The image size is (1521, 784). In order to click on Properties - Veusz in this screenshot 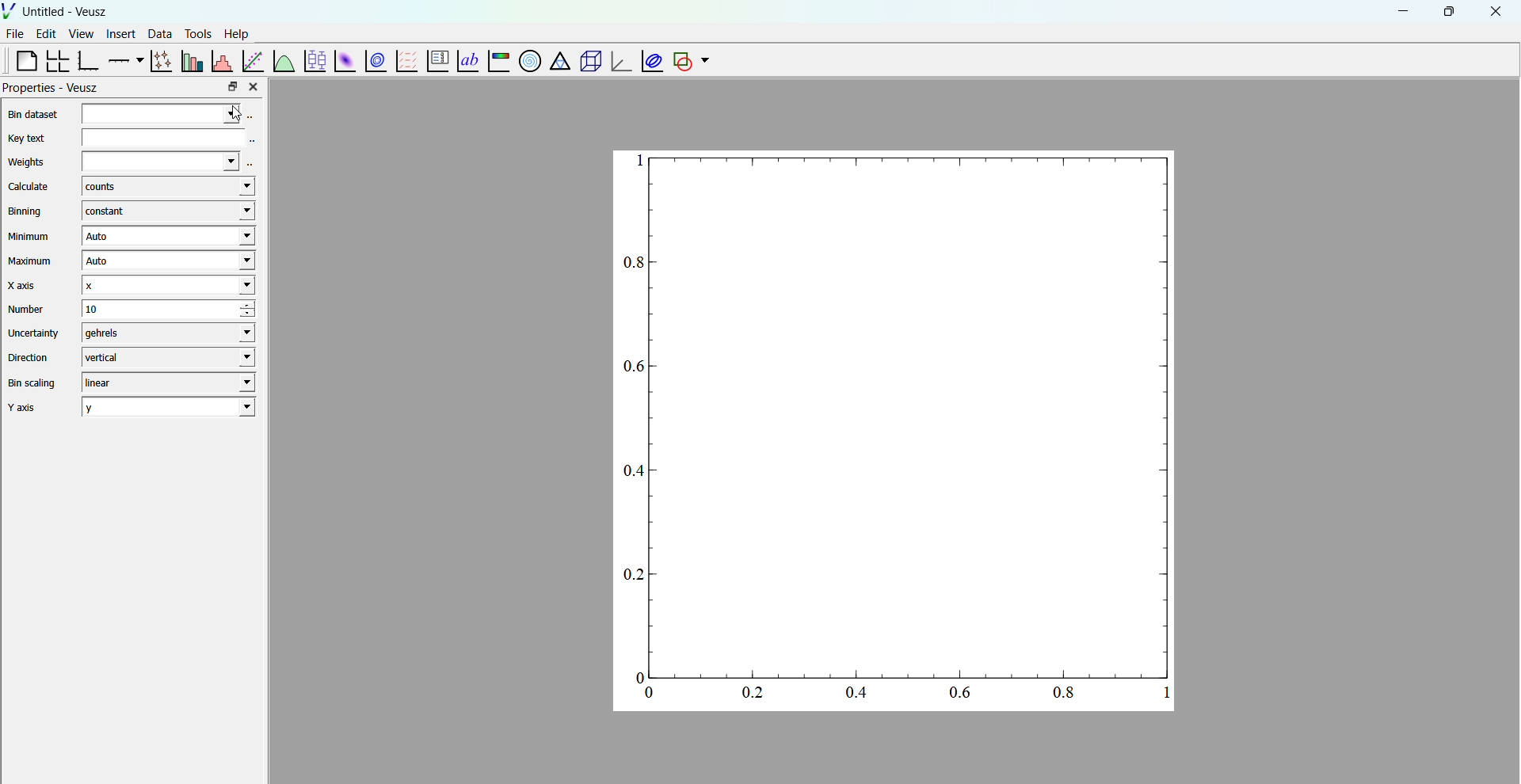, I will do `click(52, 88)`.